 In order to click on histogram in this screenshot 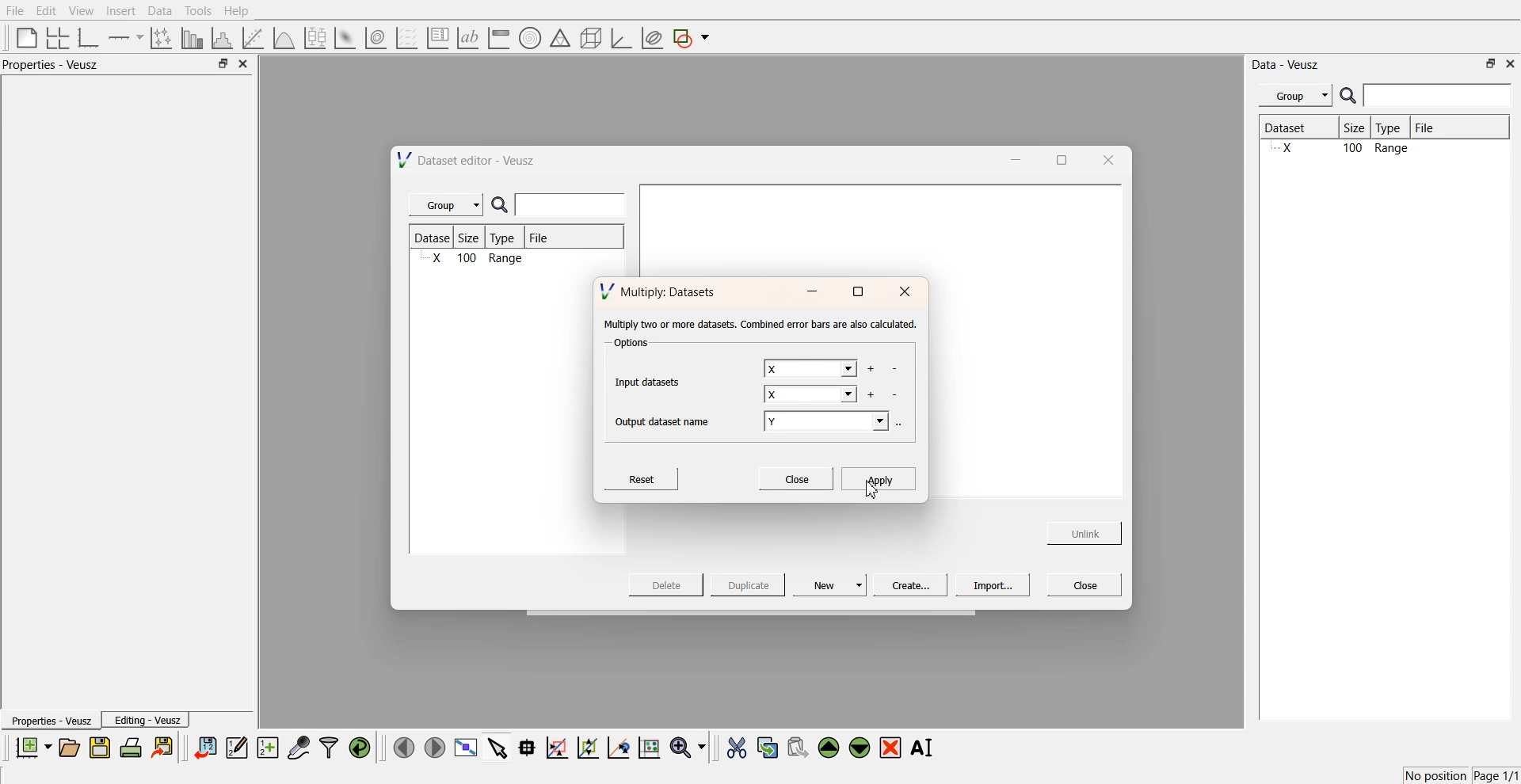, I will do `click(225, 37)`.